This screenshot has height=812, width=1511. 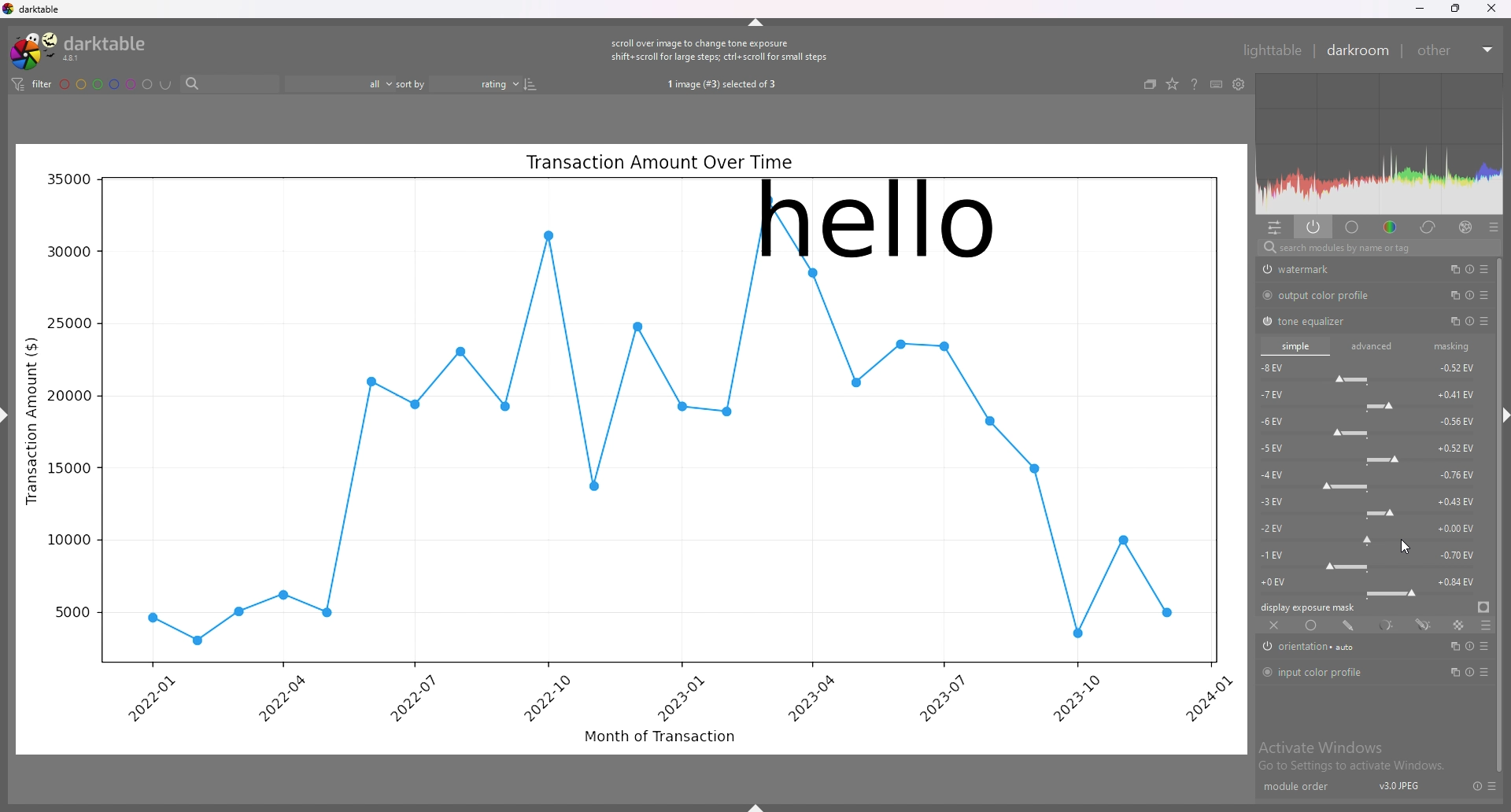 I want to click on advanced, so click(x=1372, y=346).